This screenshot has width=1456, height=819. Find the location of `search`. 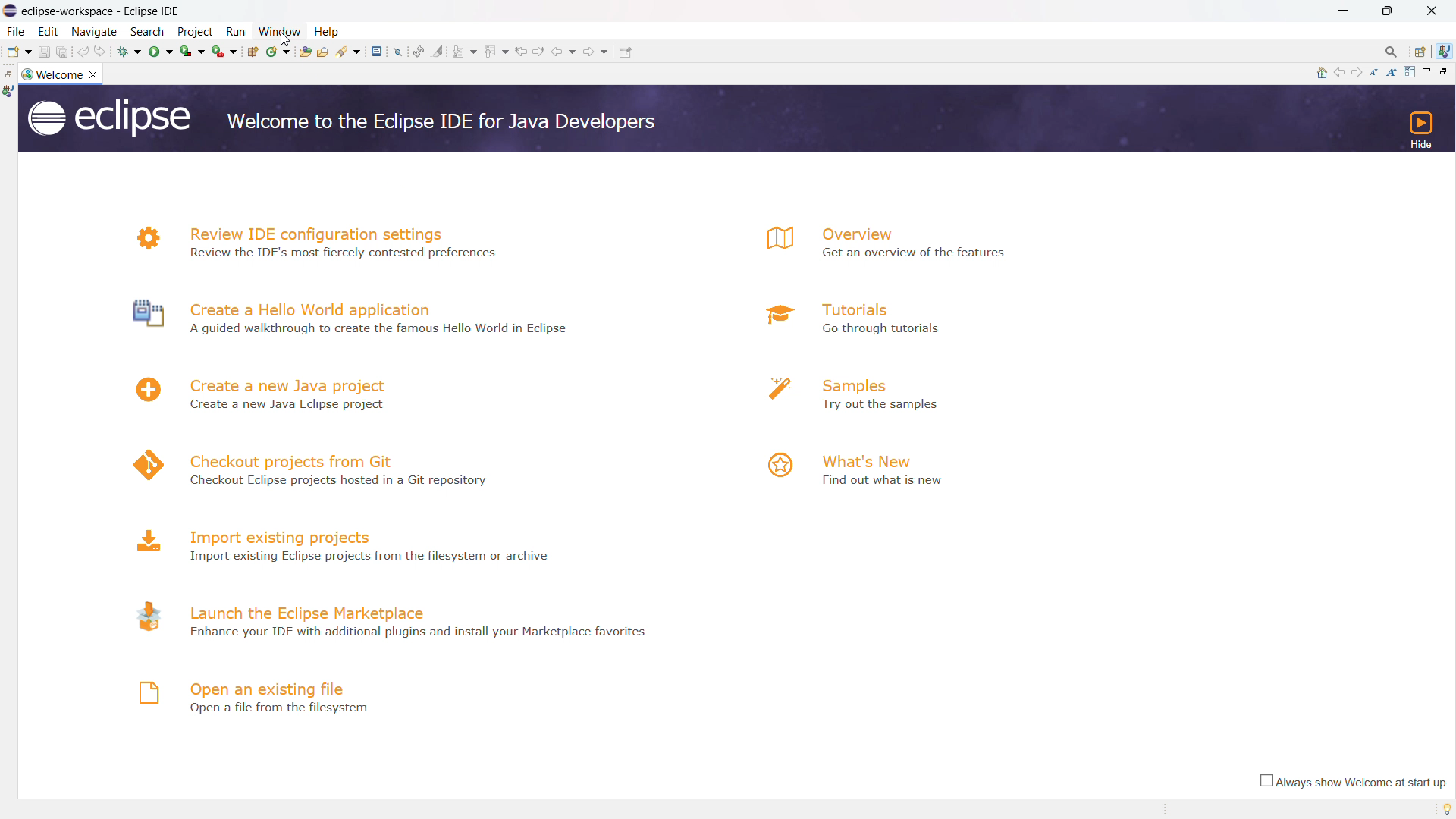

search is located at coordinates (149, 32).